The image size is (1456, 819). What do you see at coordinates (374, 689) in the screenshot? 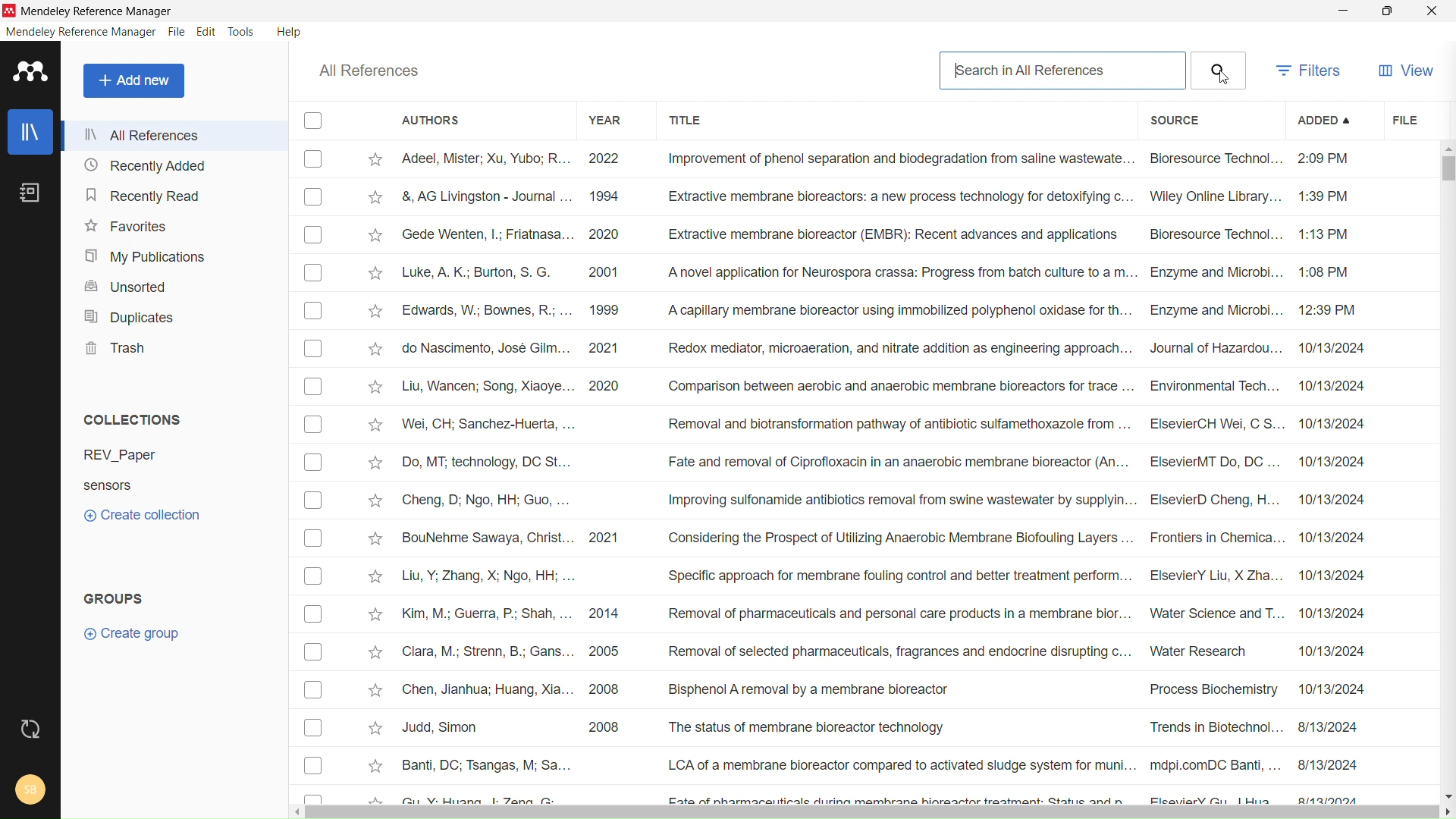
I see `Add to favorites` at bounding box center [374, 689].